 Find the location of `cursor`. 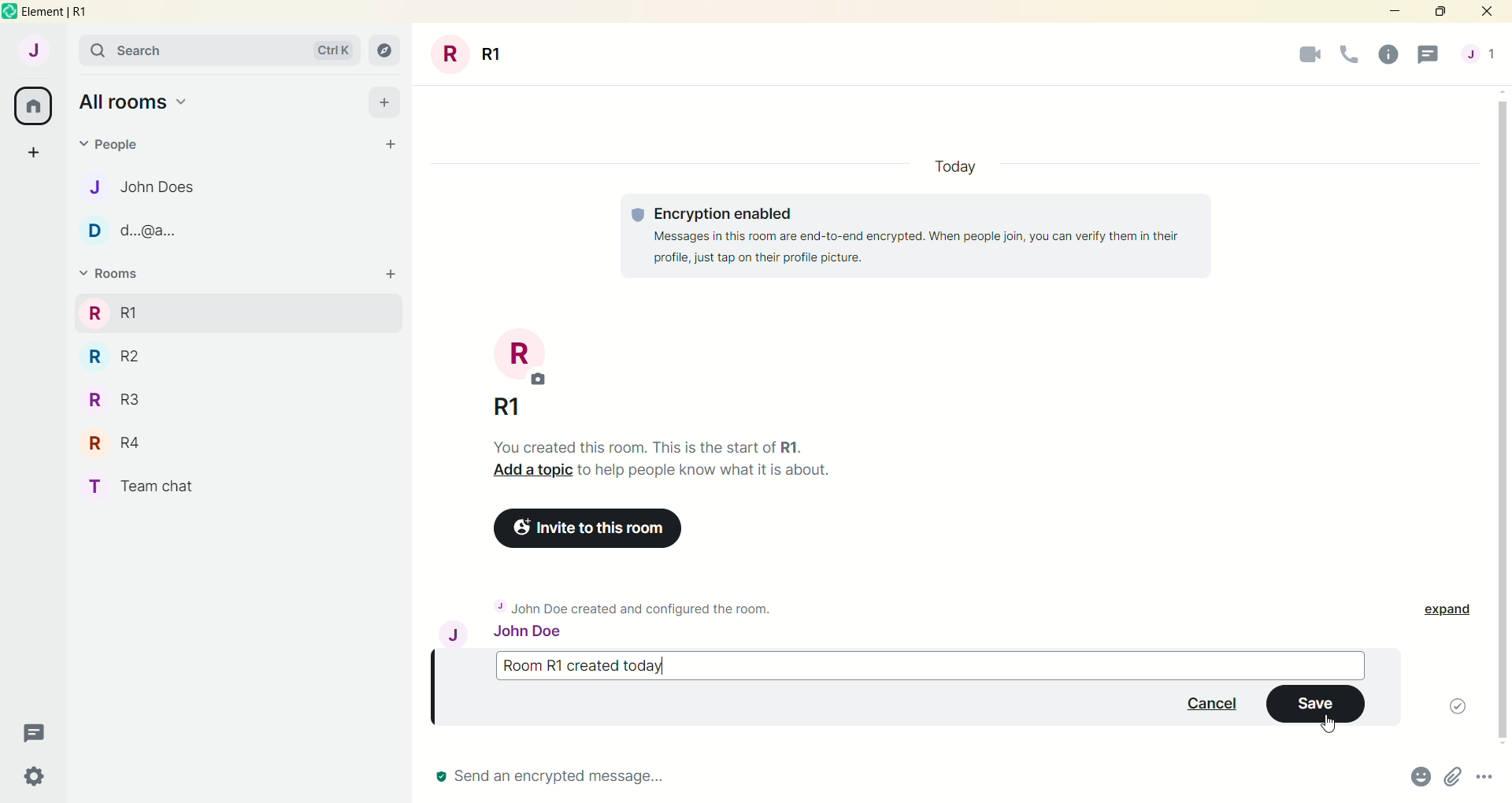

cursor is located at coordinates (1329, 723).